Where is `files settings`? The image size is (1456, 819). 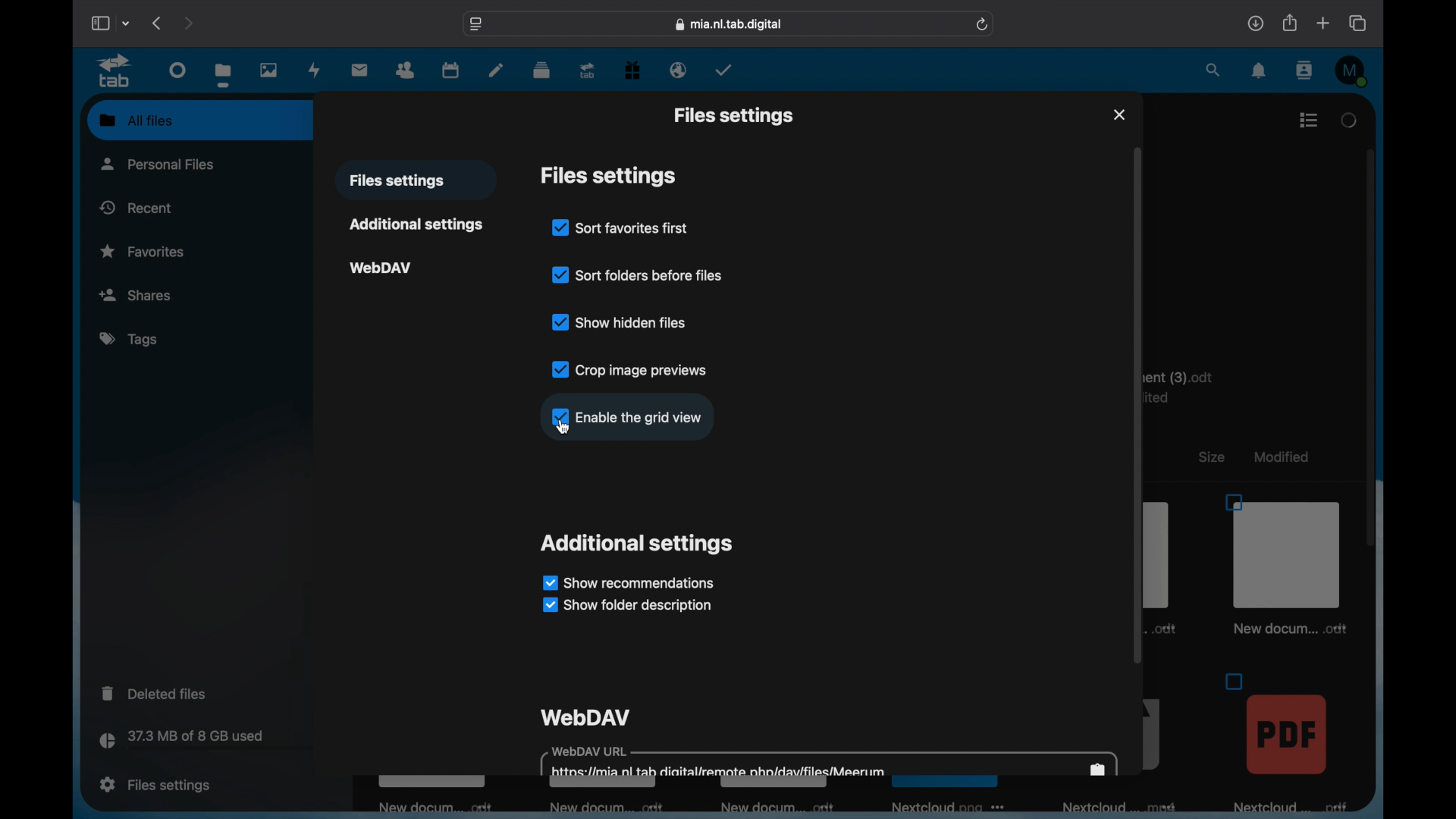
files settings is located at coordinates (733, 115).